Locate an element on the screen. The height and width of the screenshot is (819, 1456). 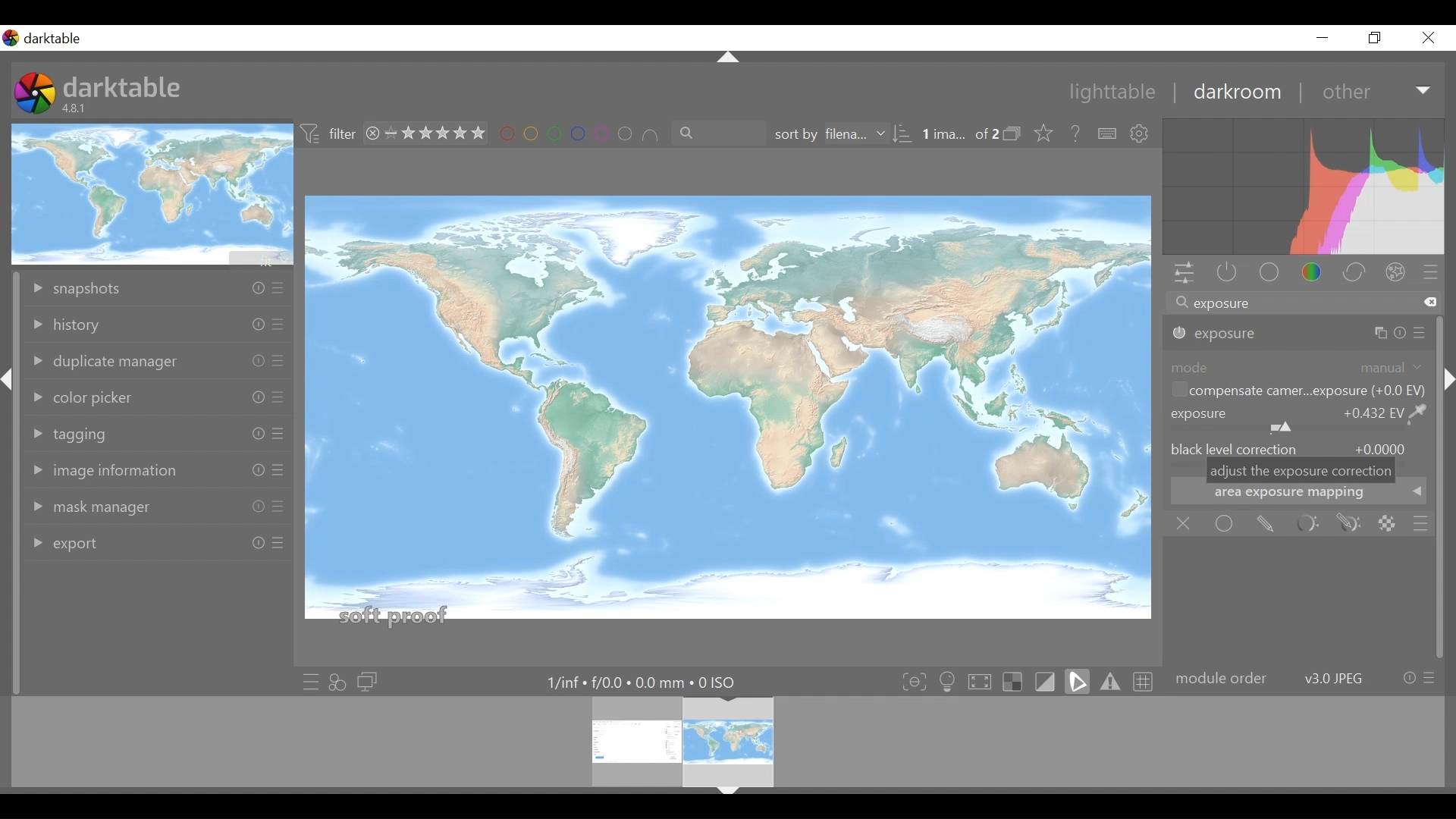
search module by name or  tag is located at coordinates (1302, 304).